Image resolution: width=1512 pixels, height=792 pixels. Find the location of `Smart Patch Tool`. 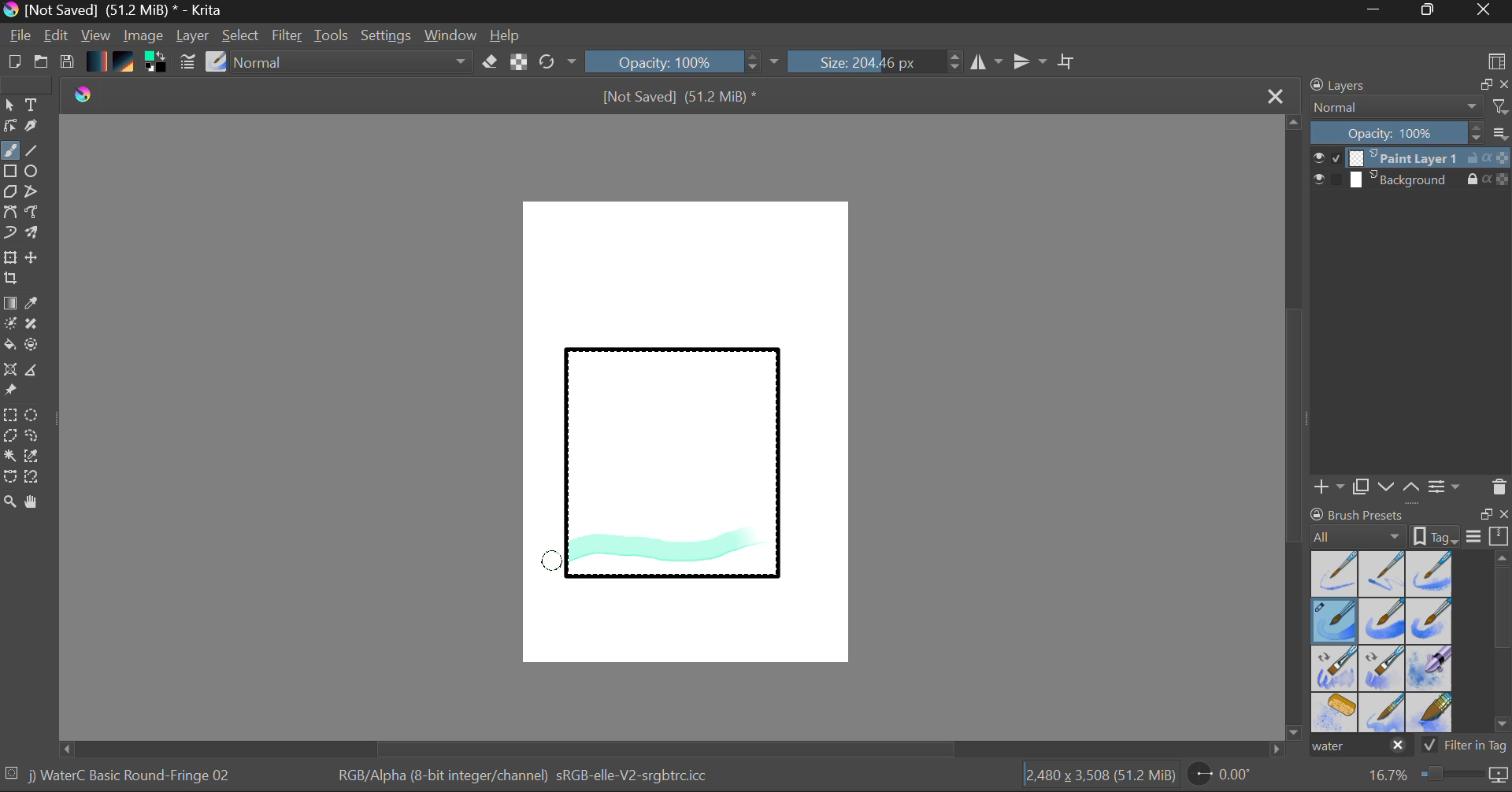

Smart Patch Tool is located at coordinates (37, 327).